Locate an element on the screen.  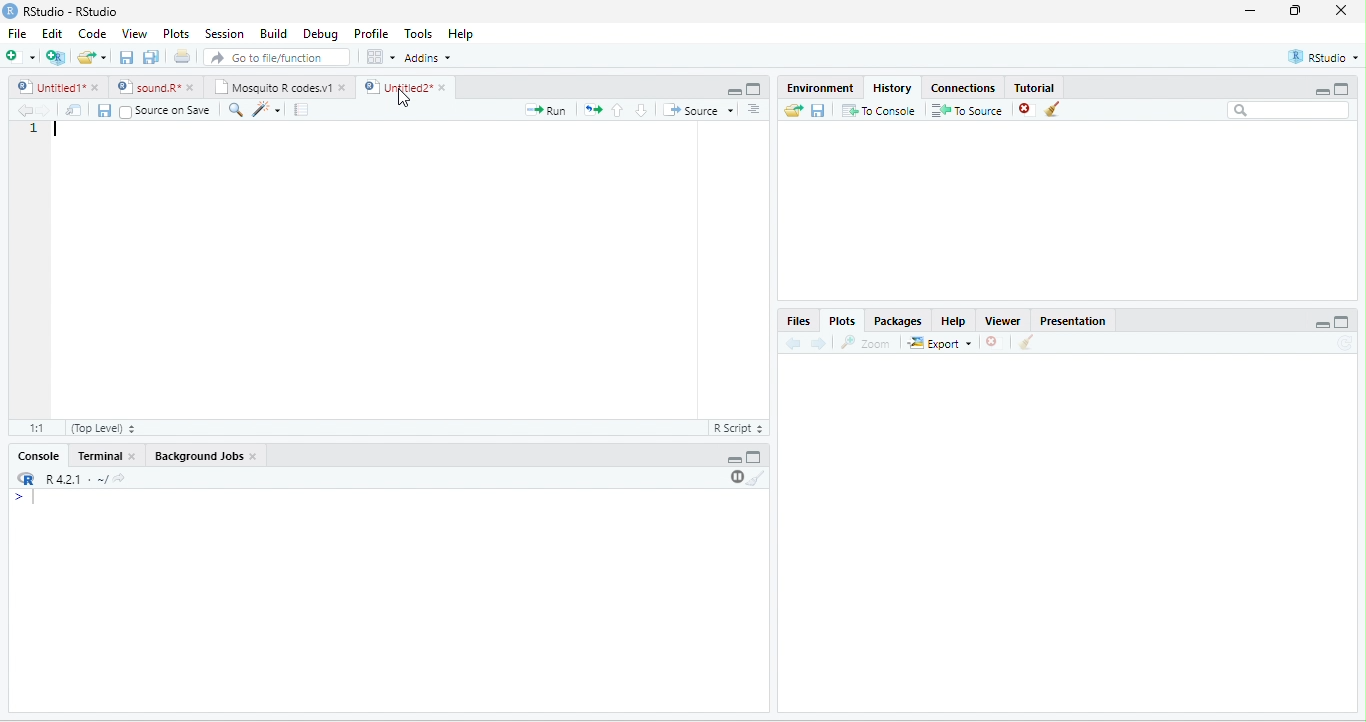
clear is located at coordinates (1027, 342).